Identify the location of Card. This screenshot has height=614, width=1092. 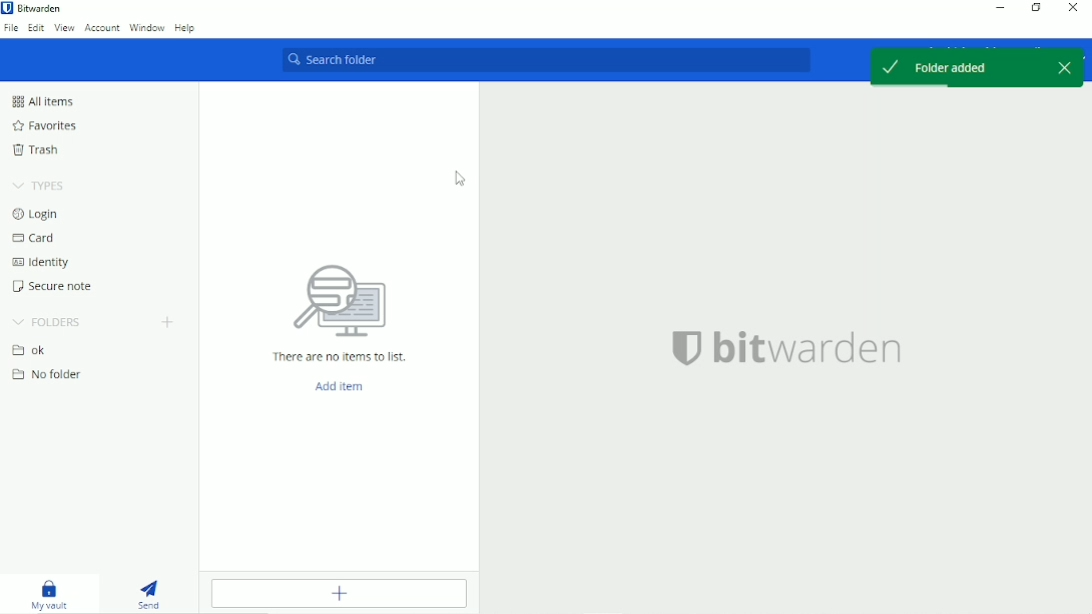
(38, 239).